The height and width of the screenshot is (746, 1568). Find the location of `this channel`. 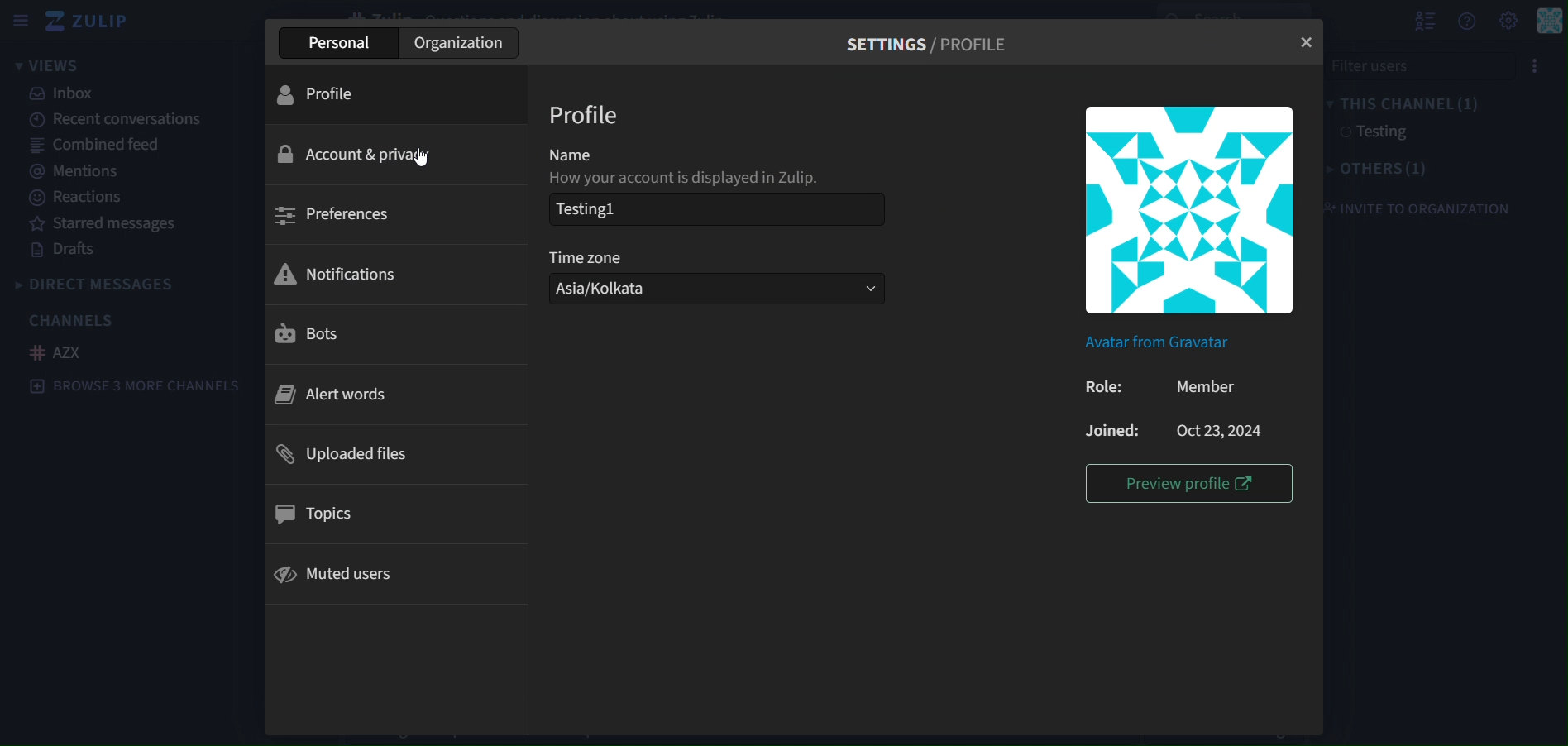

this channel is located at coordinates (1404, 104).